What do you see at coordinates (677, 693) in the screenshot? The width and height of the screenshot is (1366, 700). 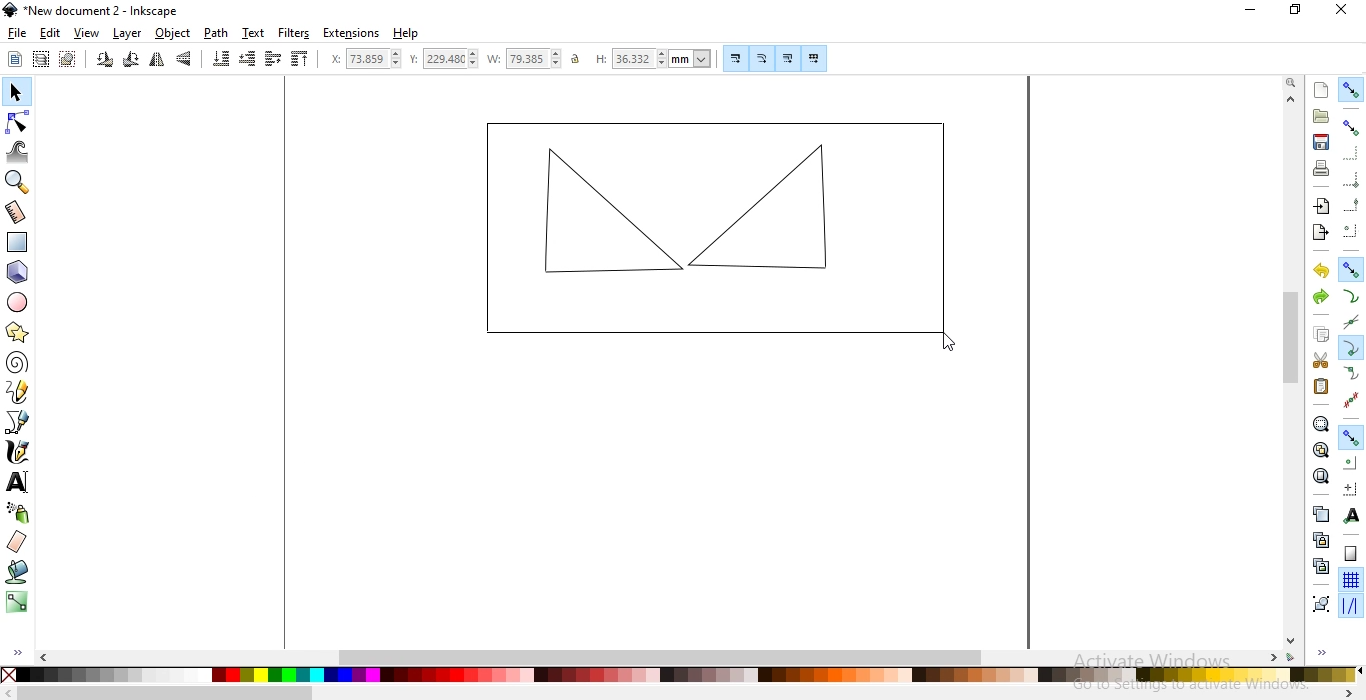 I see `scrollbar` at bounding box center [677, 693].